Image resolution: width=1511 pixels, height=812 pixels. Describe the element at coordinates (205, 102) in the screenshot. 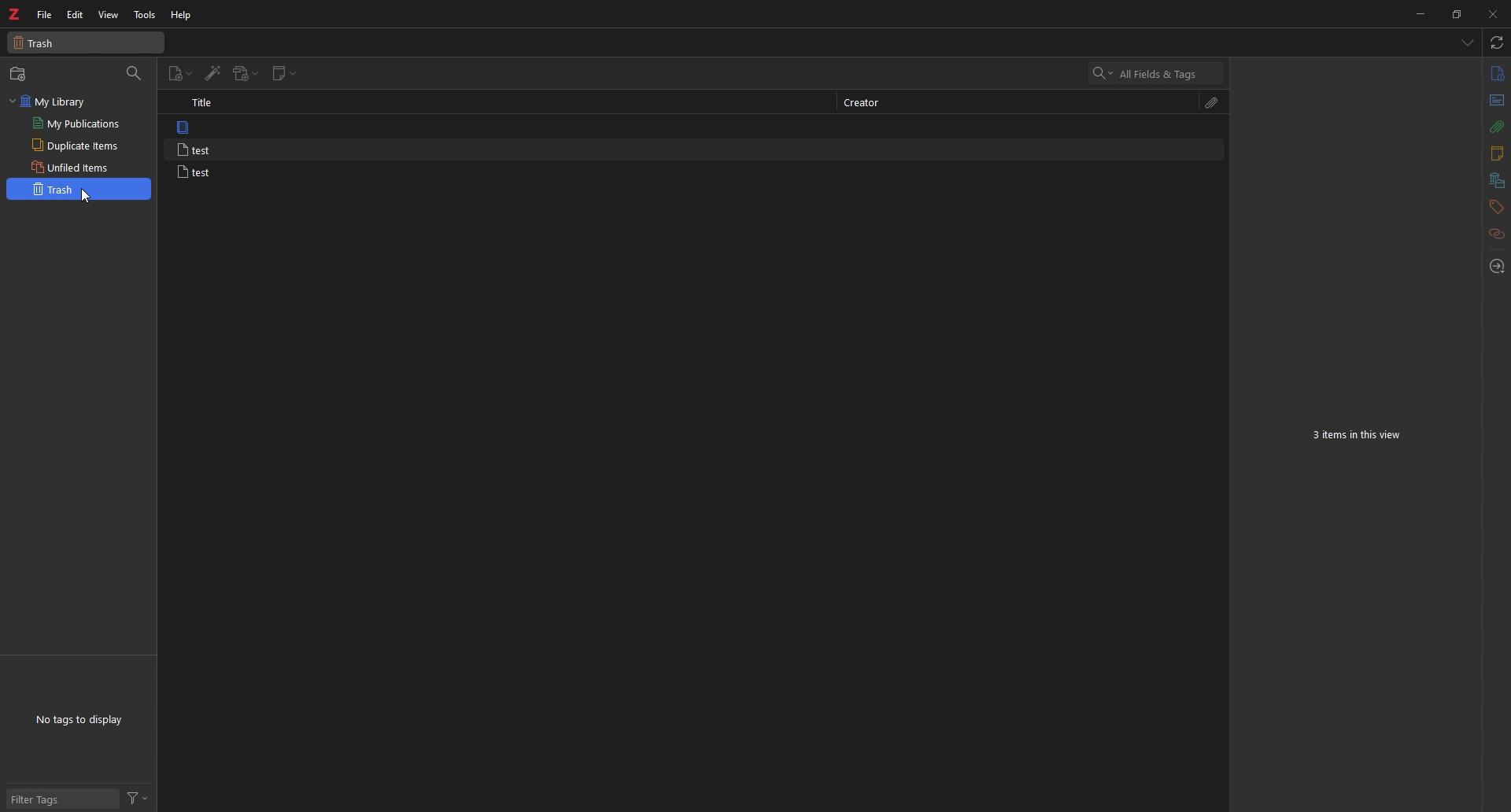

I see `Title` at that location.